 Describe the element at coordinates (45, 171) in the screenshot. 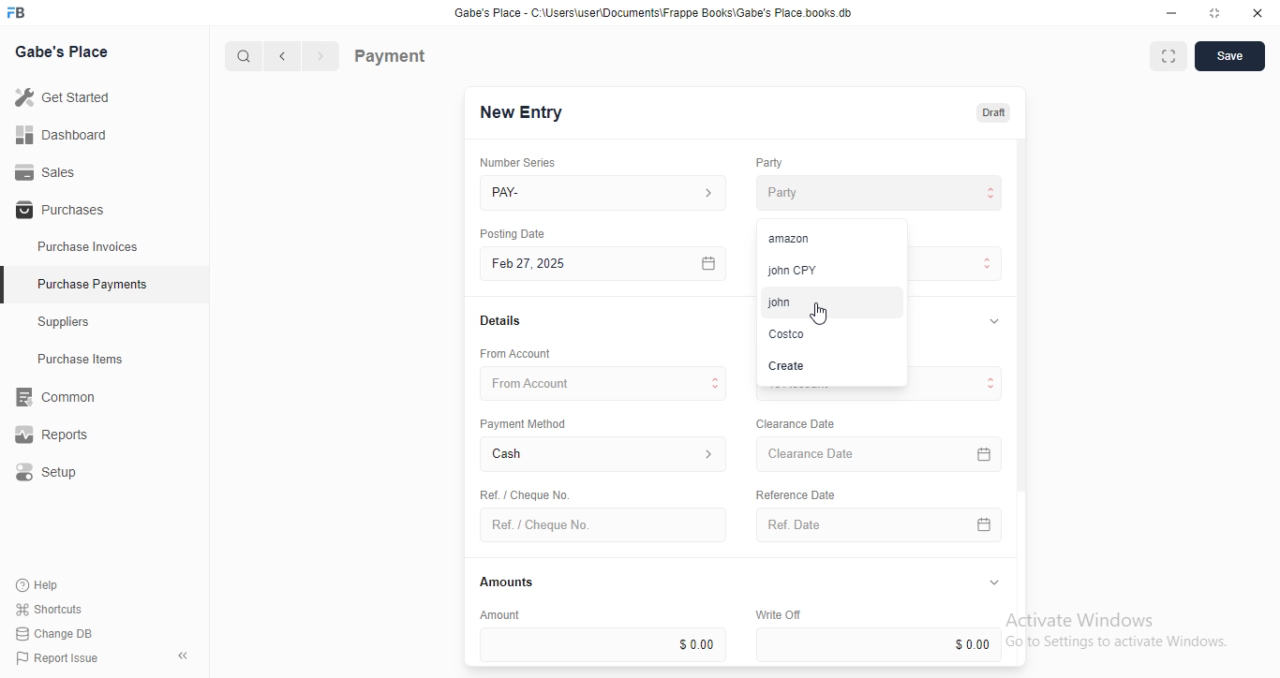

I see `Sales` at that location.